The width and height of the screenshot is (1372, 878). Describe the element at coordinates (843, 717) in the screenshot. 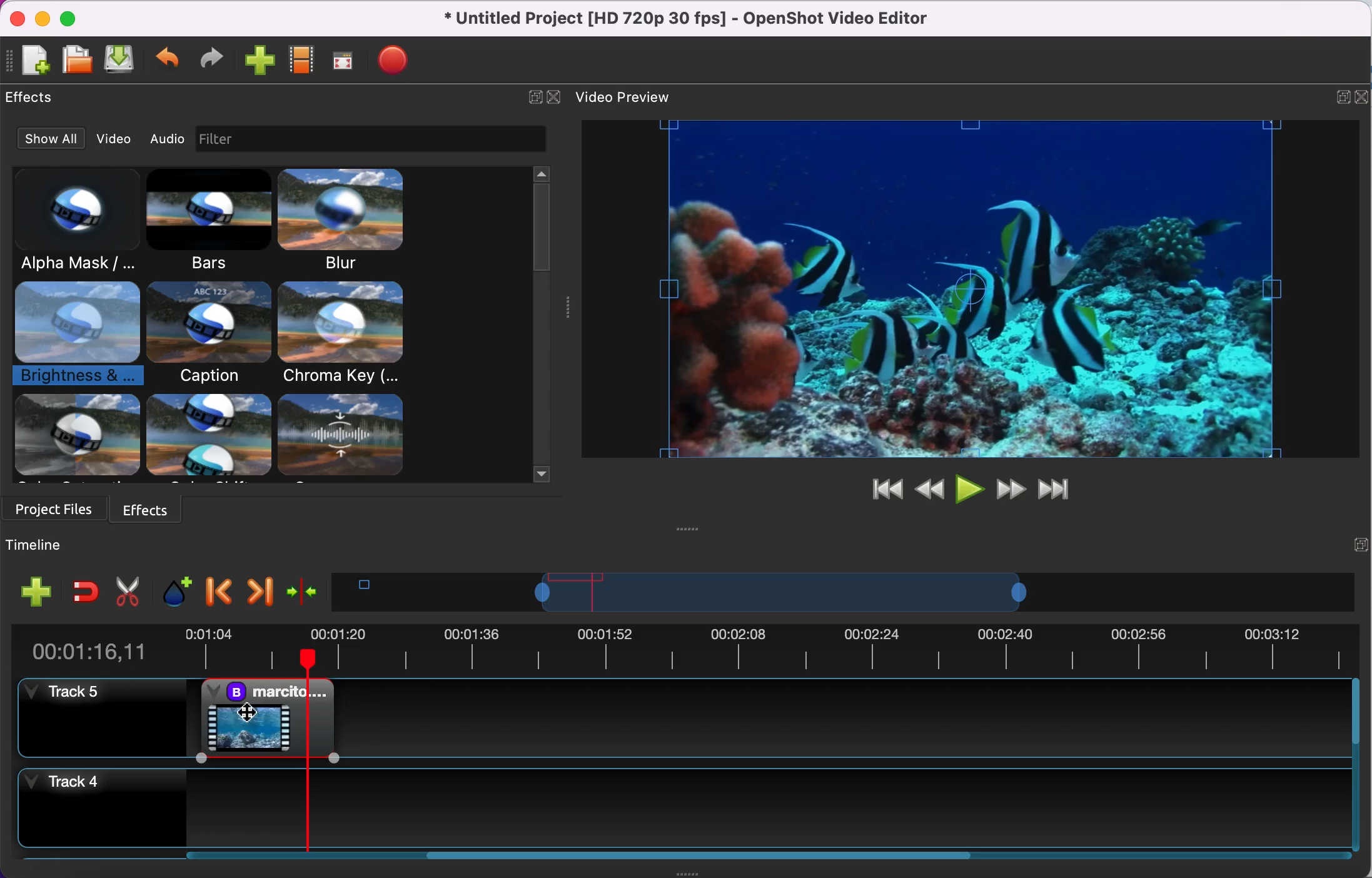

I see `Track 5` at that location.